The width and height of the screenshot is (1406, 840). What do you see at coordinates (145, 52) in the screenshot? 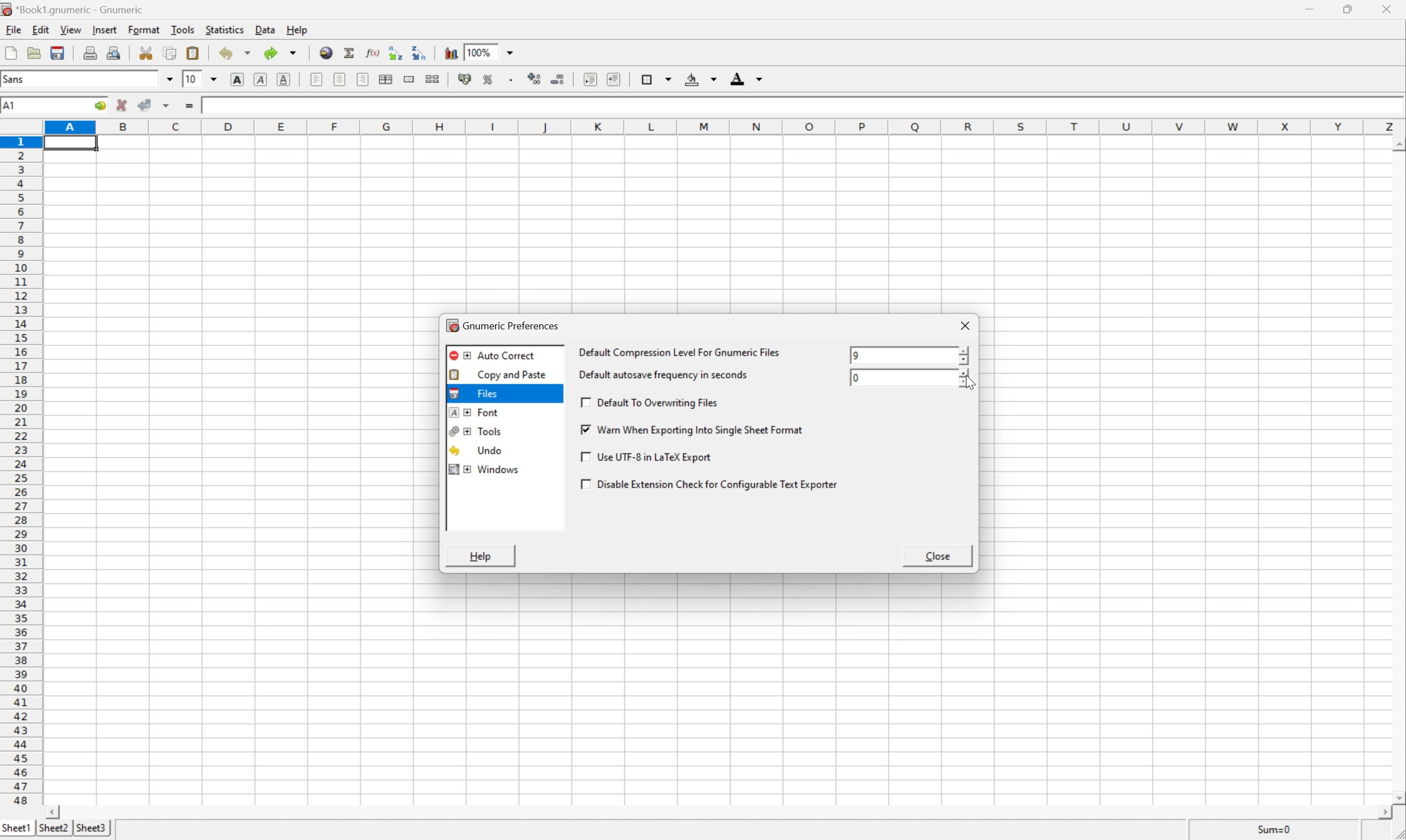
I see `cut` at bounding box center [145, 52].